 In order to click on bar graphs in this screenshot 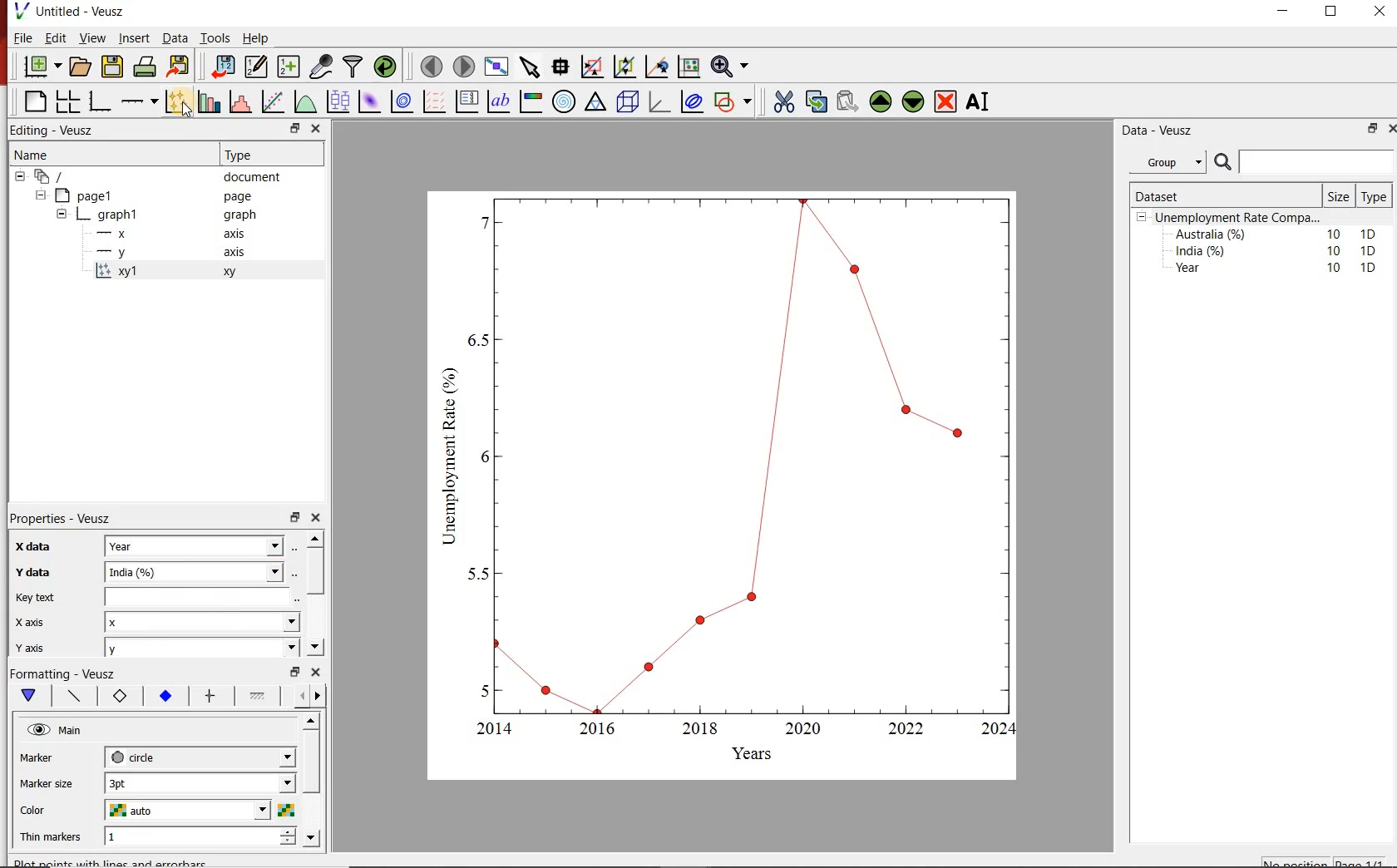, I will do `click(207, 101)`.